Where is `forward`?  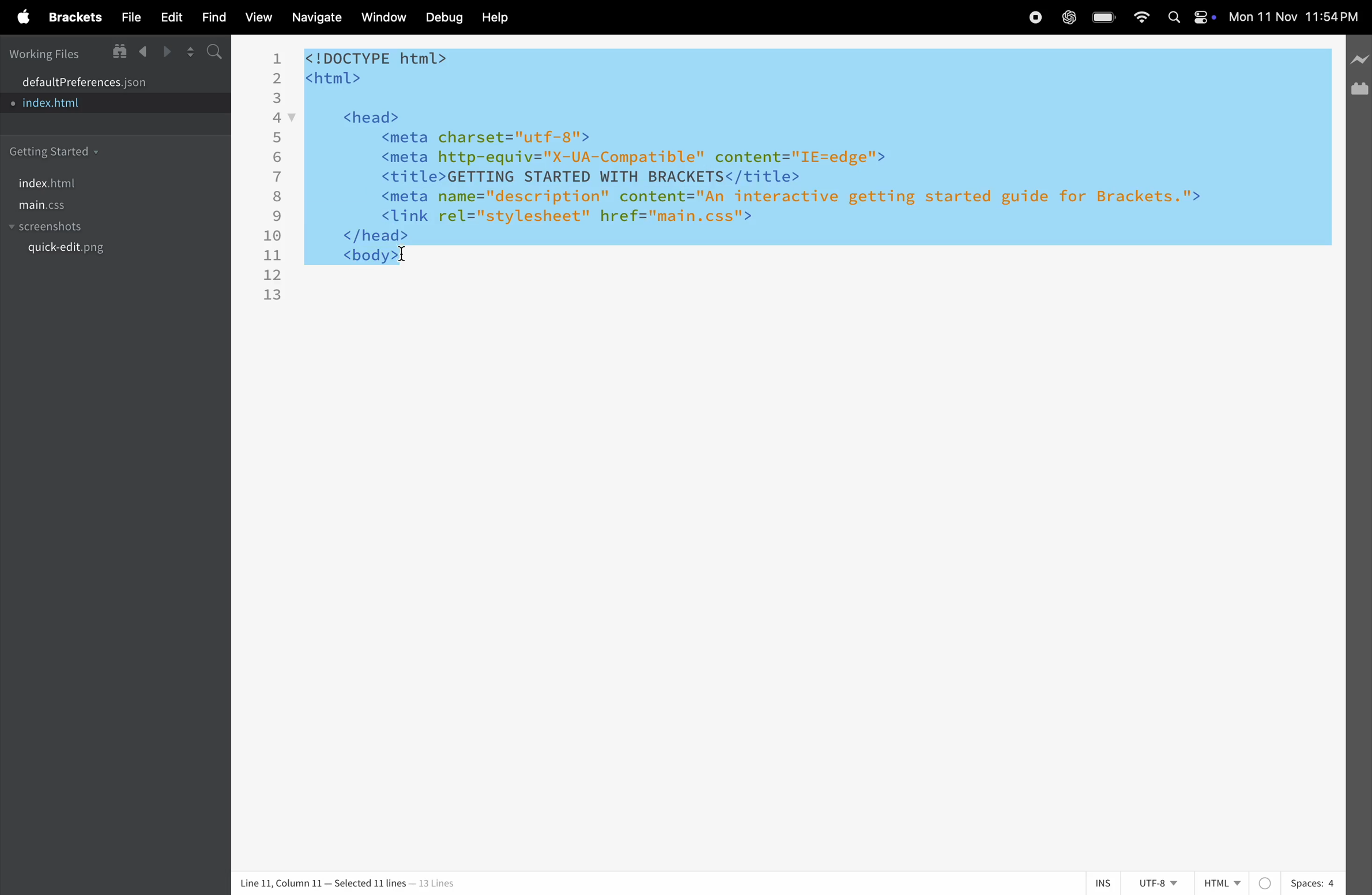
forward is located at coordinates (168, 52).